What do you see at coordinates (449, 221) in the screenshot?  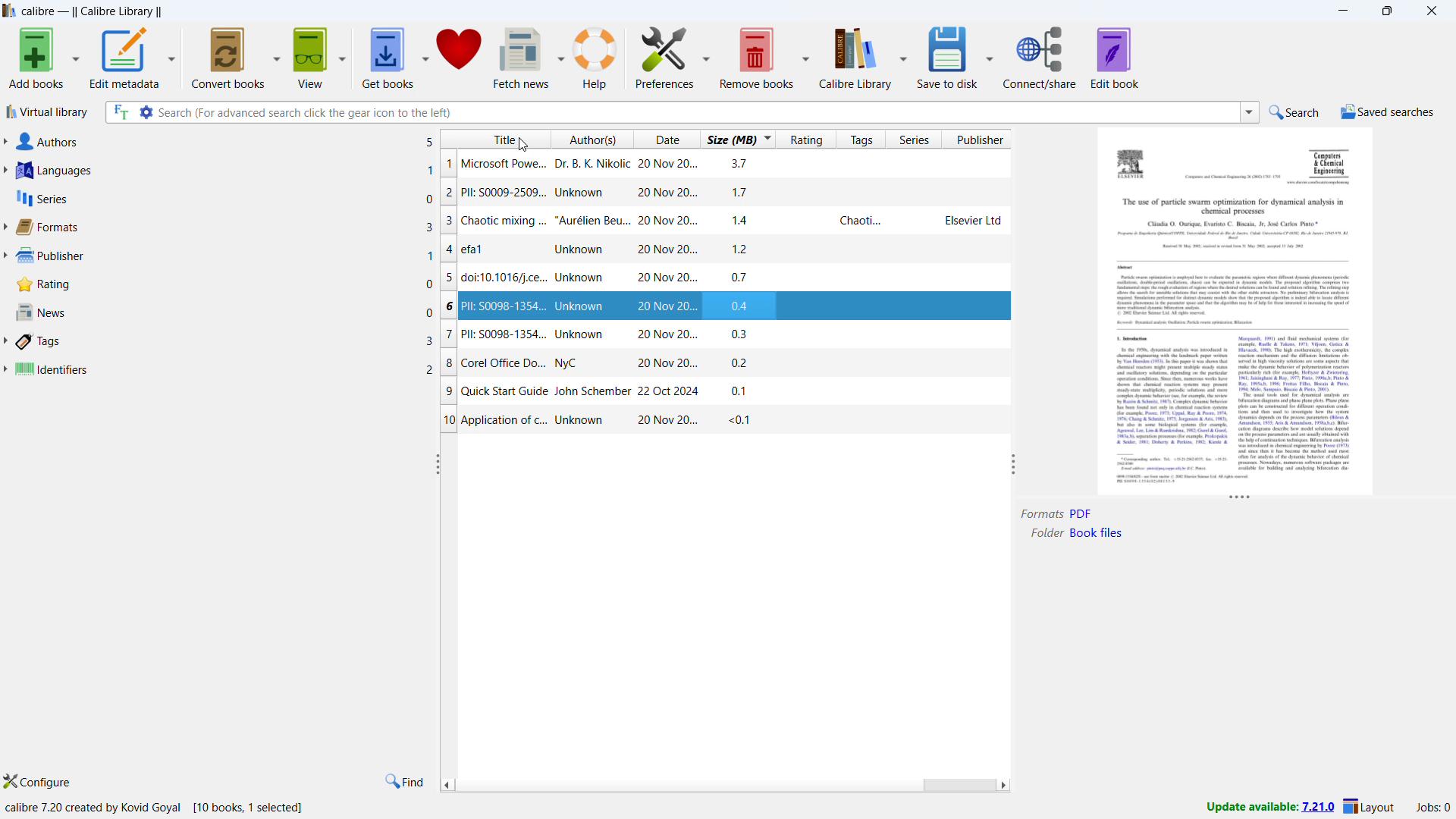 I see `3` at bounding box center [449, 221].